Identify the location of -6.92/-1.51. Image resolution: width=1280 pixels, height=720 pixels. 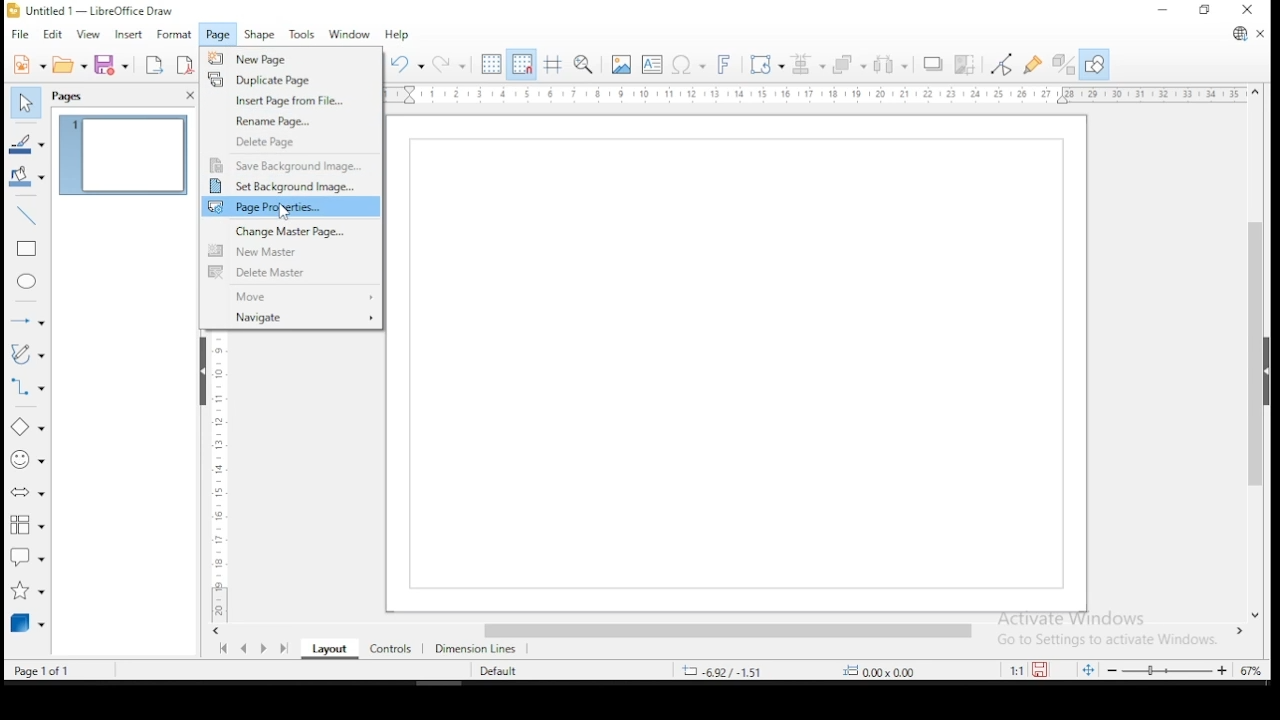
(729, 670).